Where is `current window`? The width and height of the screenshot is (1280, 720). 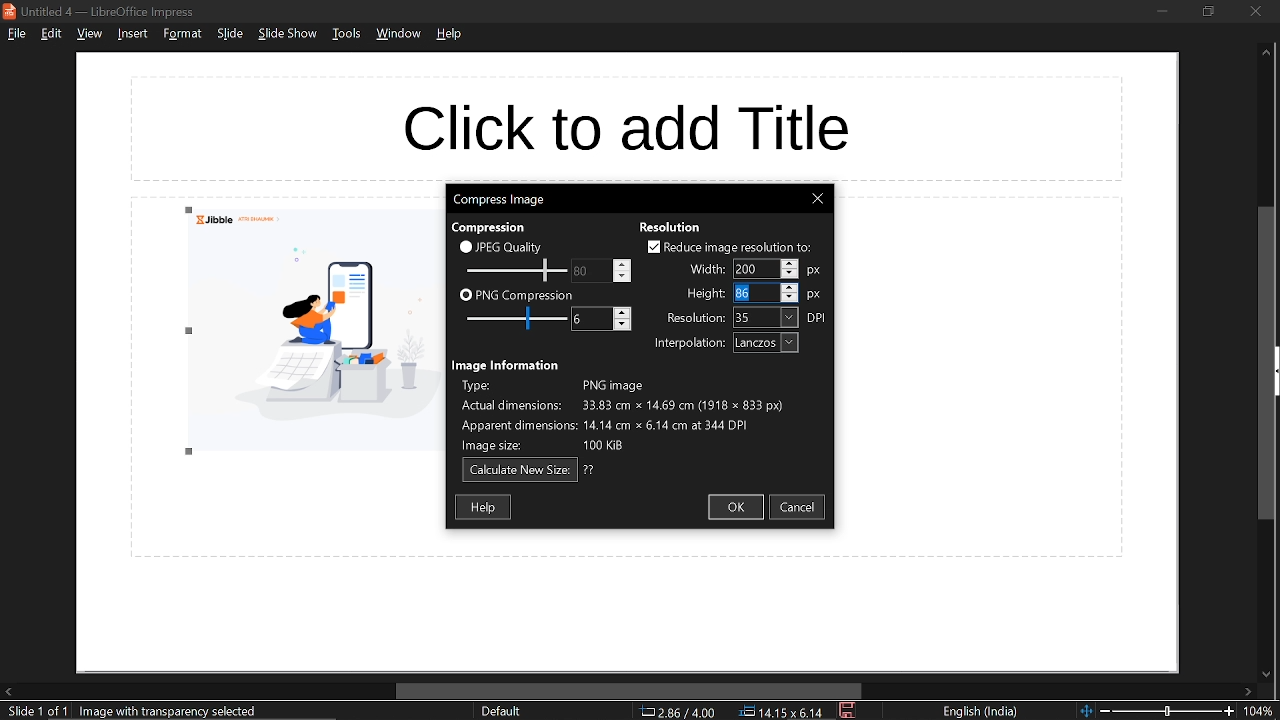 current window is located at coordinates (498, 198).